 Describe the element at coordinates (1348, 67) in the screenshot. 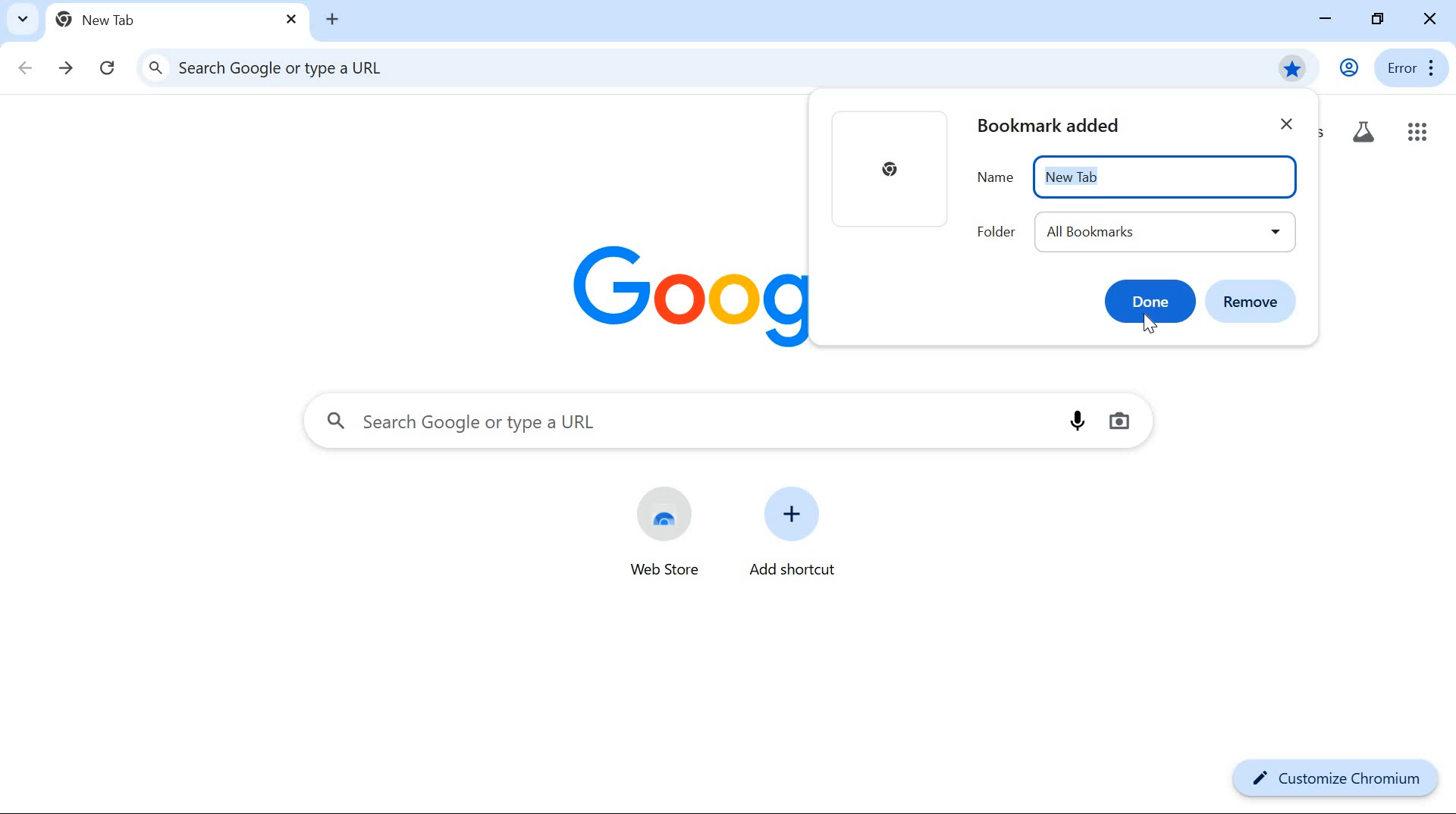

I see `user profile` at that location.